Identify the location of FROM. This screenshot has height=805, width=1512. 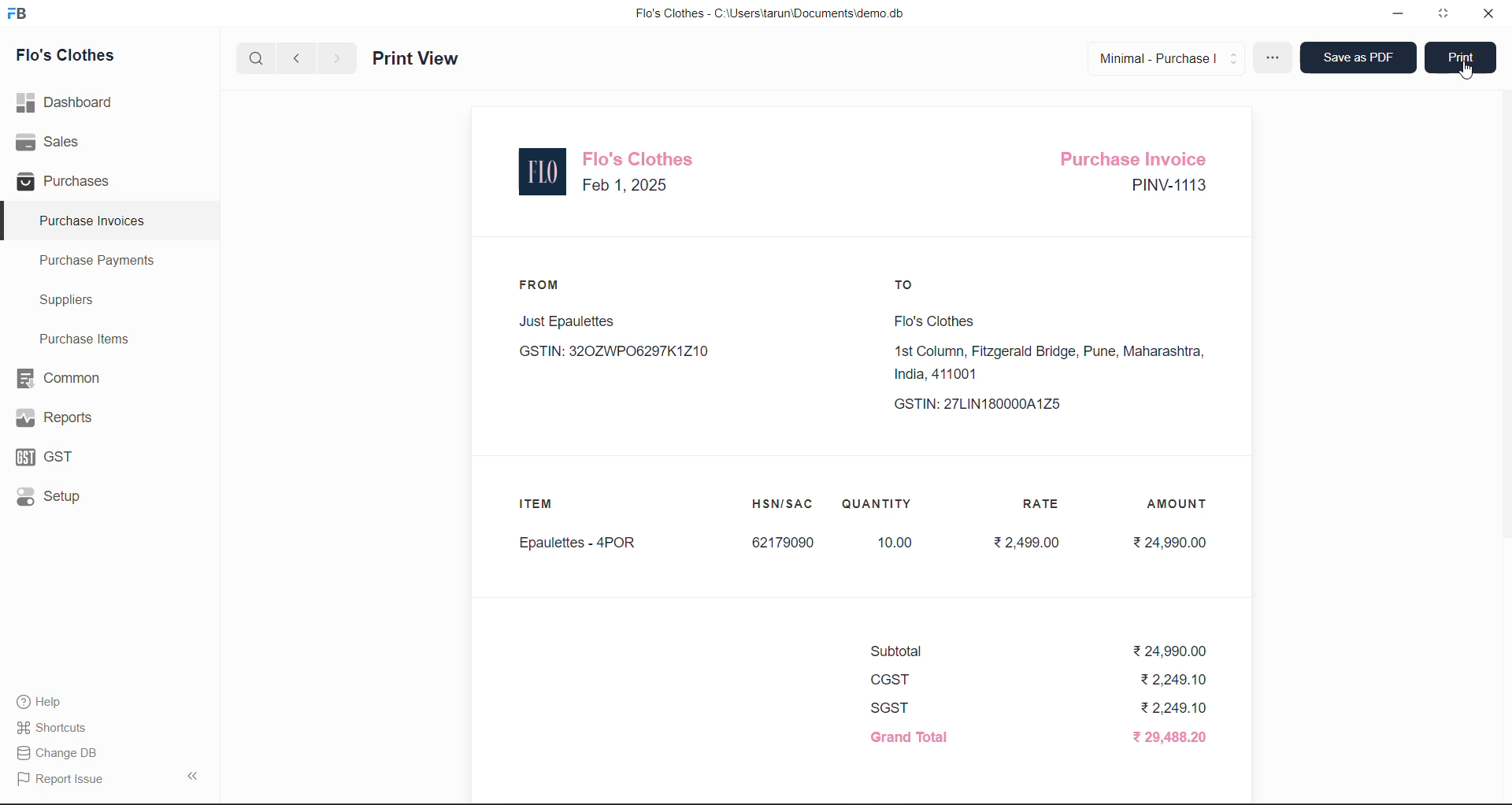
(547, 283).